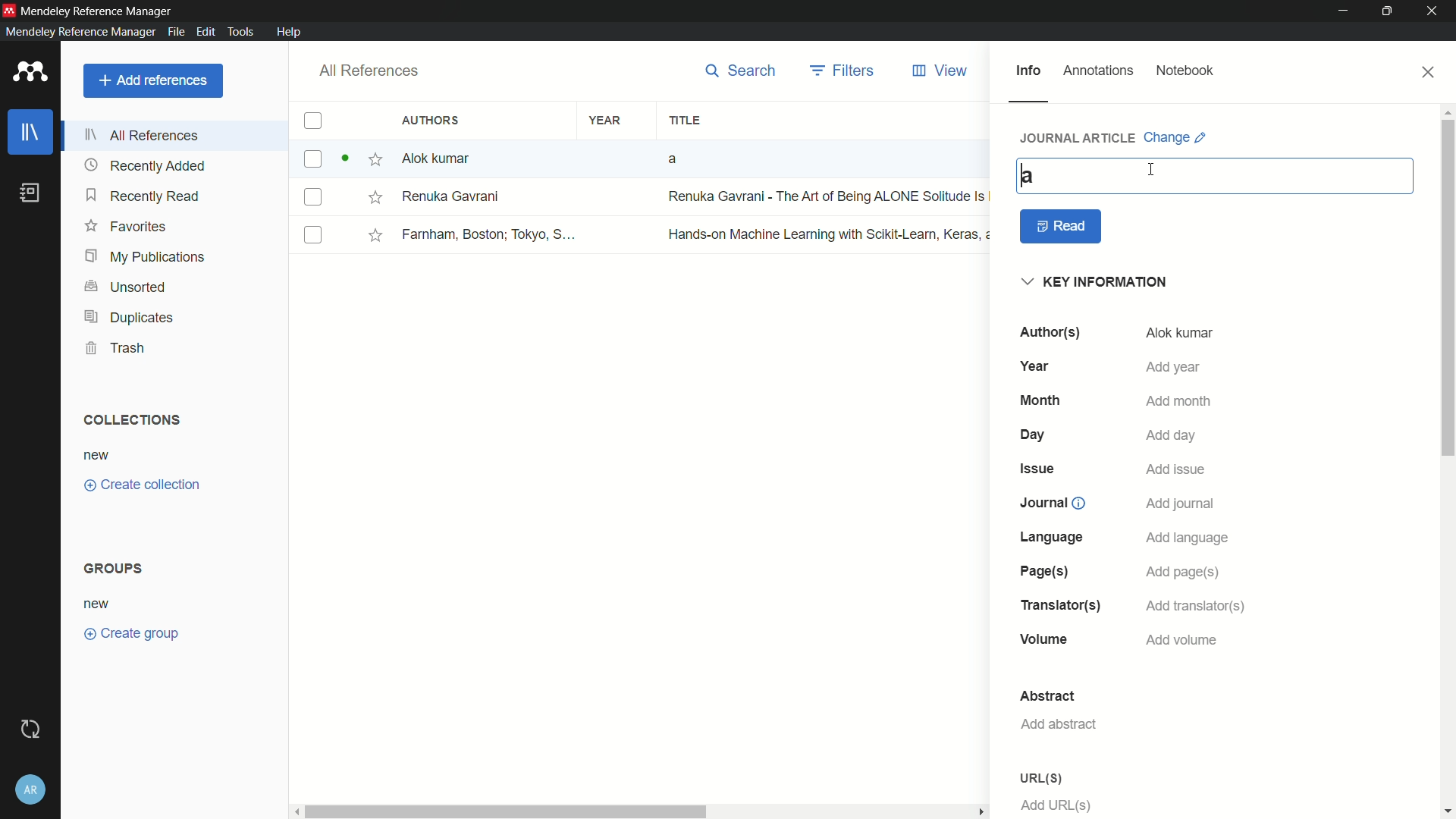 The image size is (1456, 819). What do you see at coordinates (1058, 724) in the screenshot?
I see `add abstract` at bounding box center [1058, 724].